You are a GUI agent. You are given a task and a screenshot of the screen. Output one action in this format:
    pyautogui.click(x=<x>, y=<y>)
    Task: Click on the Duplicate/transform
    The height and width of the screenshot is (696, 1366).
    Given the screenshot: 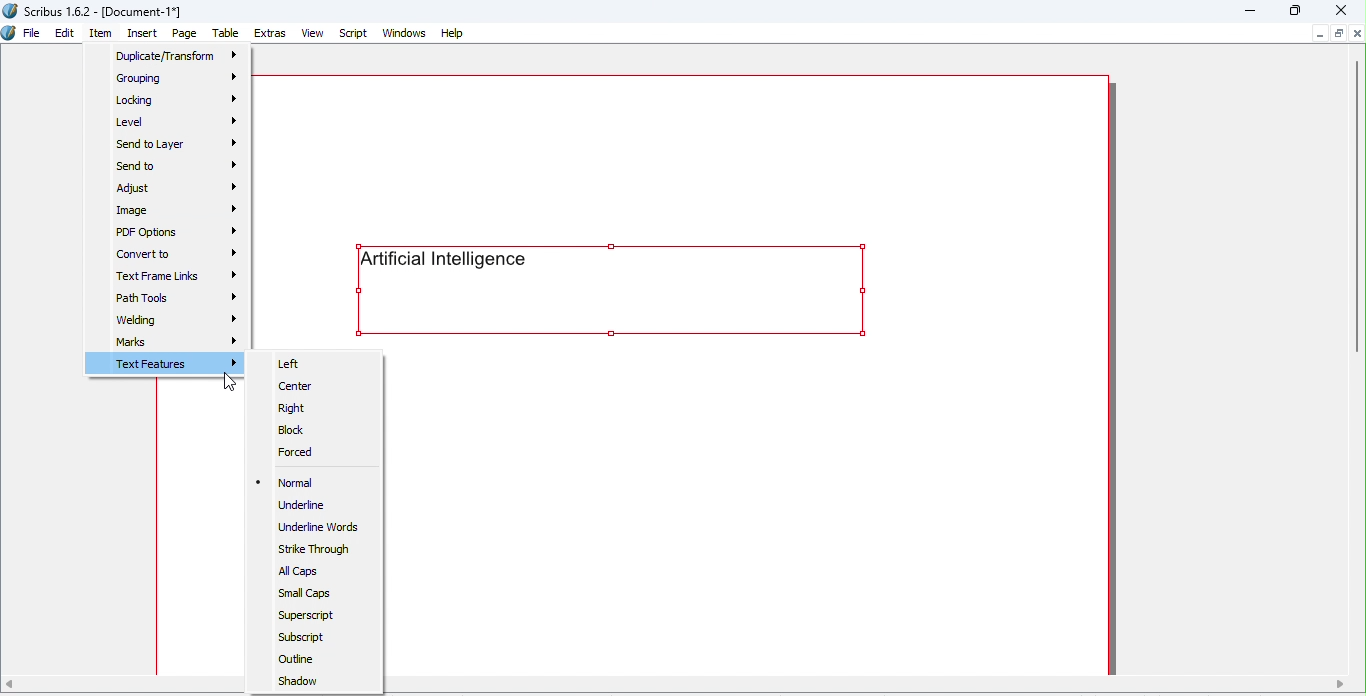 What is the action you would take?
    pyautogui.click(x=178, y=57)
    